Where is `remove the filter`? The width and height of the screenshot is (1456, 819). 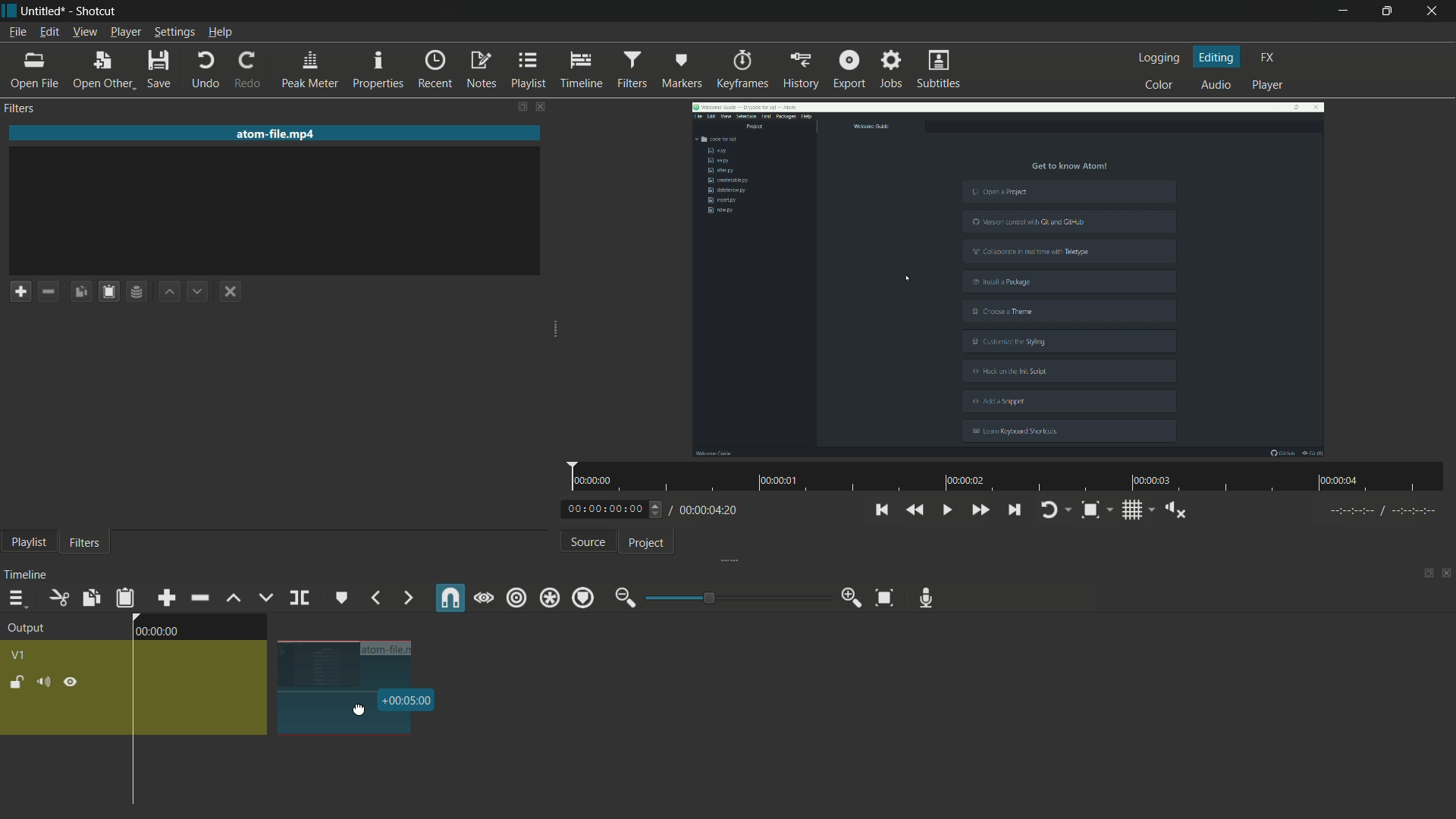 remove the filter is located at coordinates (48, 293).